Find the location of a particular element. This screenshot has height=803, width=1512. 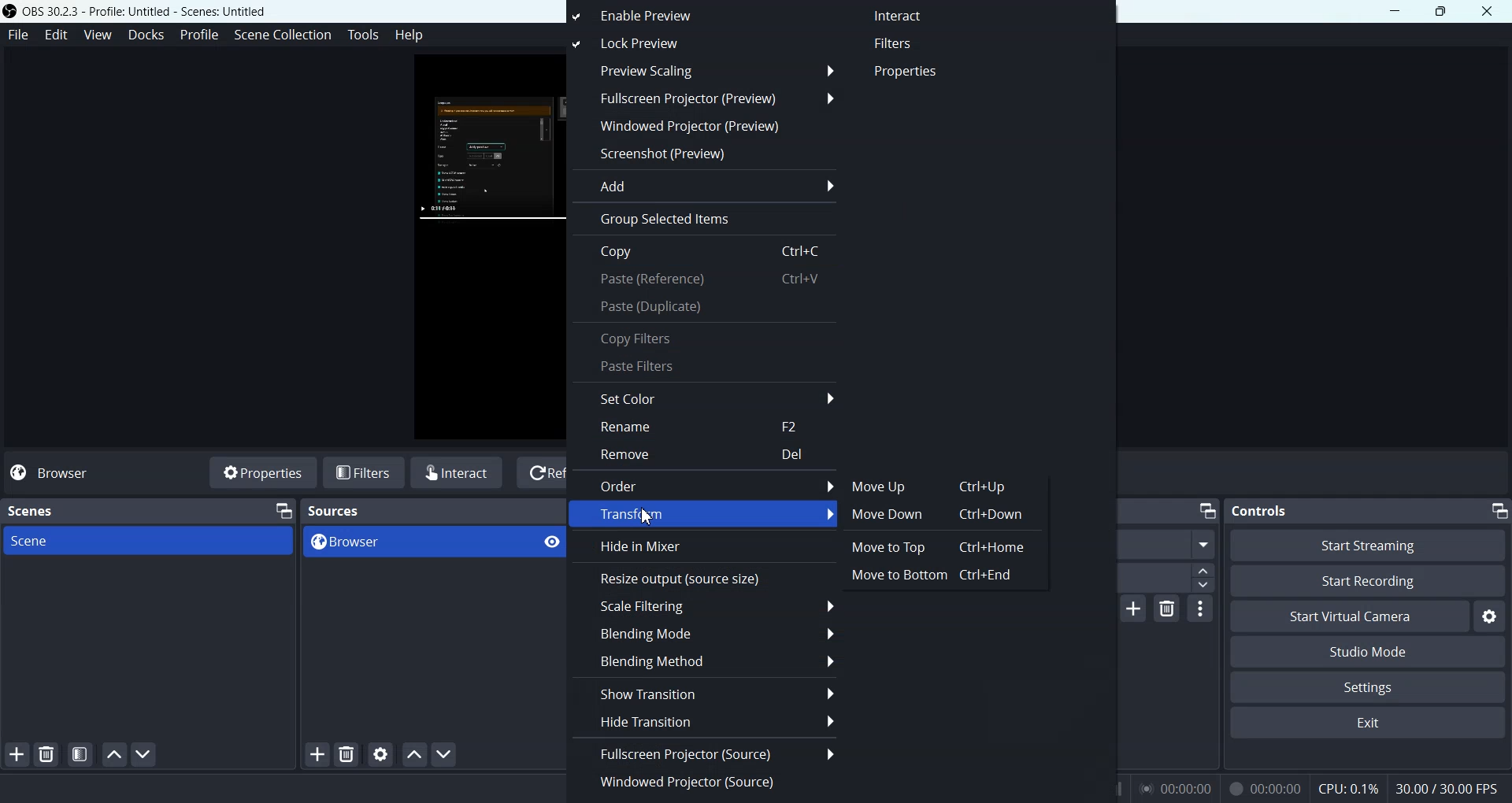

Move scene Up is located at coordinates (111, 754).